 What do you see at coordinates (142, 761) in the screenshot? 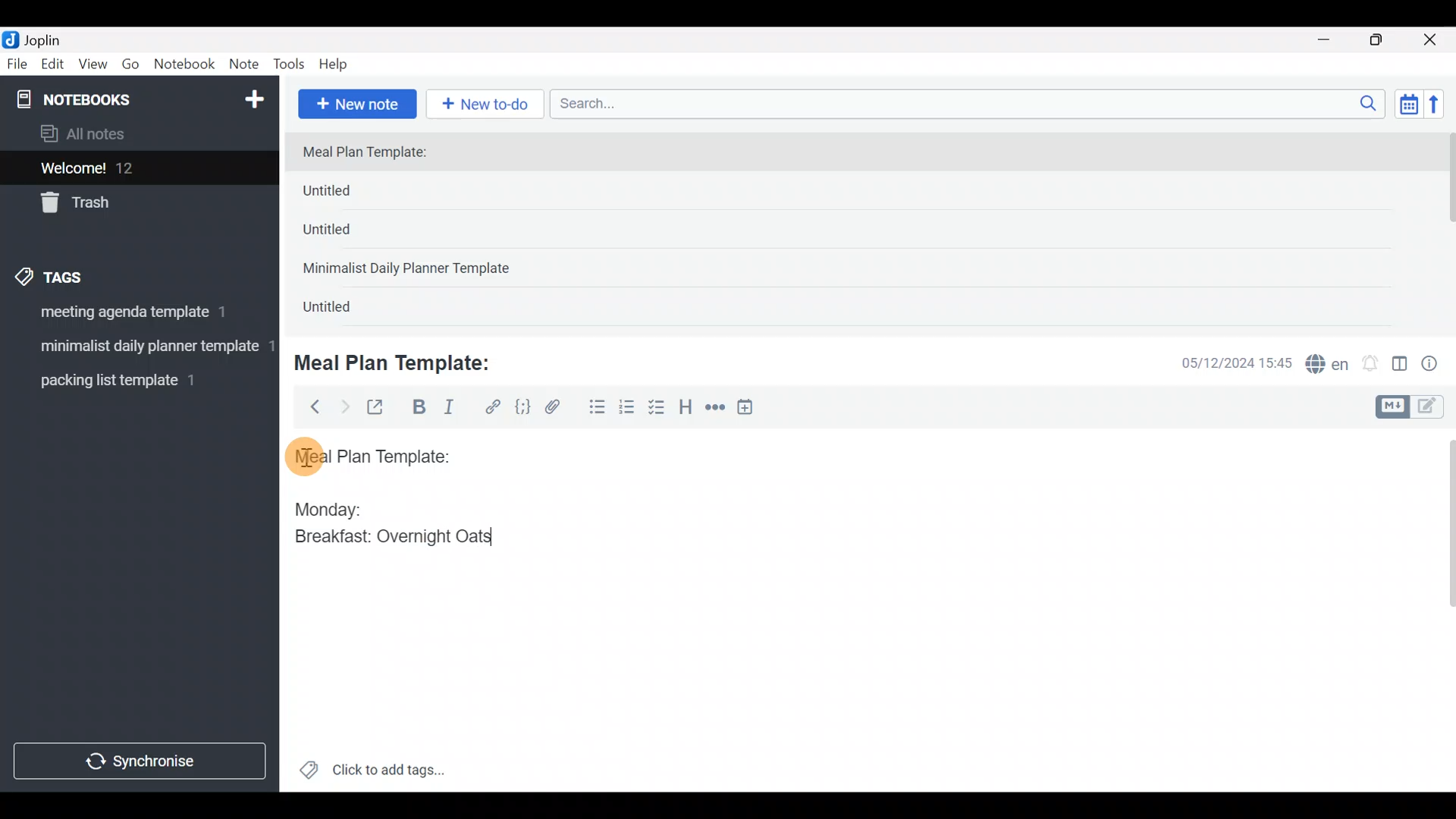
I see `Synchronize` at bounding box center [142, 761].